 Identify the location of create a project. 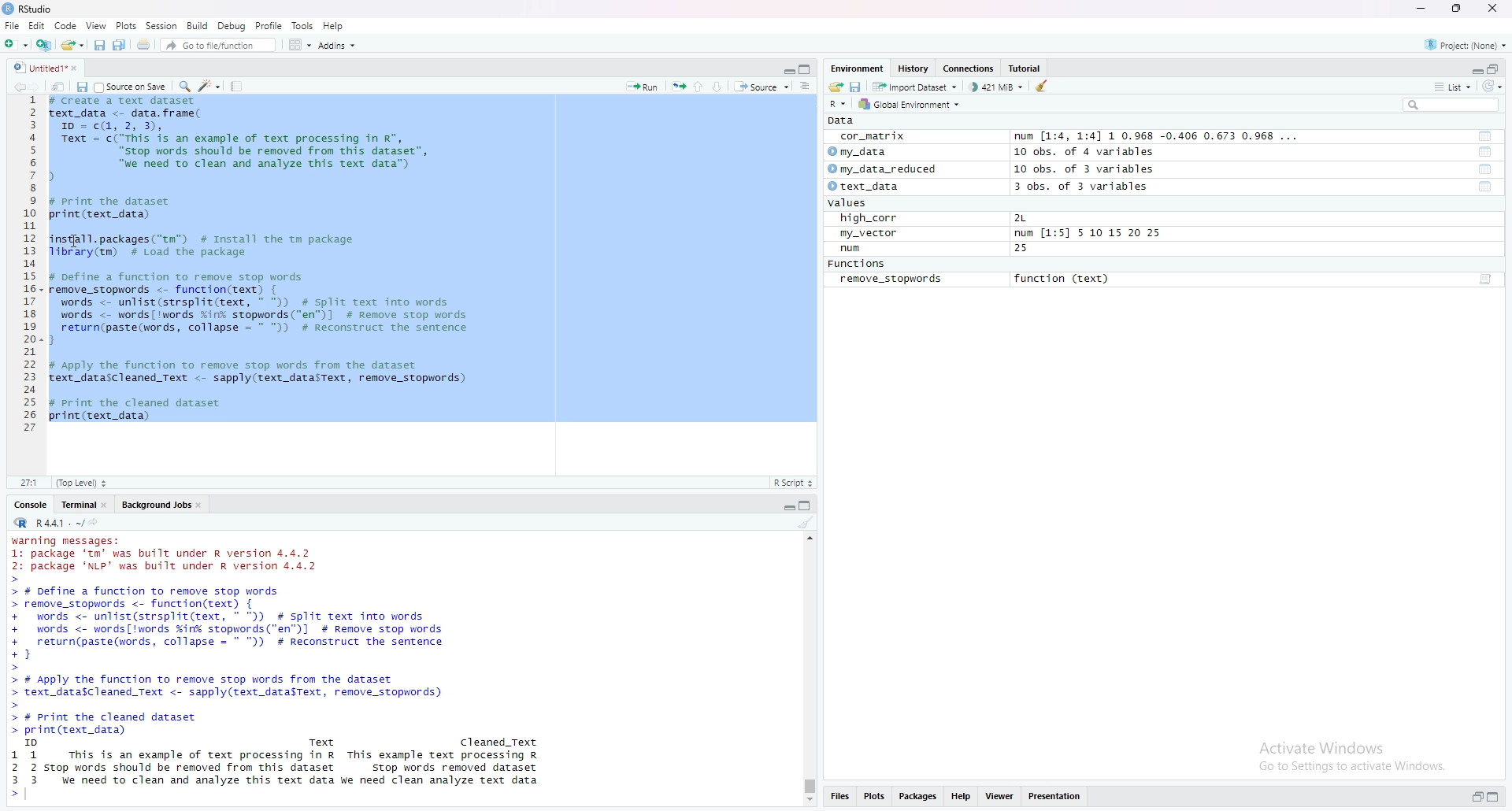
(43, 46).